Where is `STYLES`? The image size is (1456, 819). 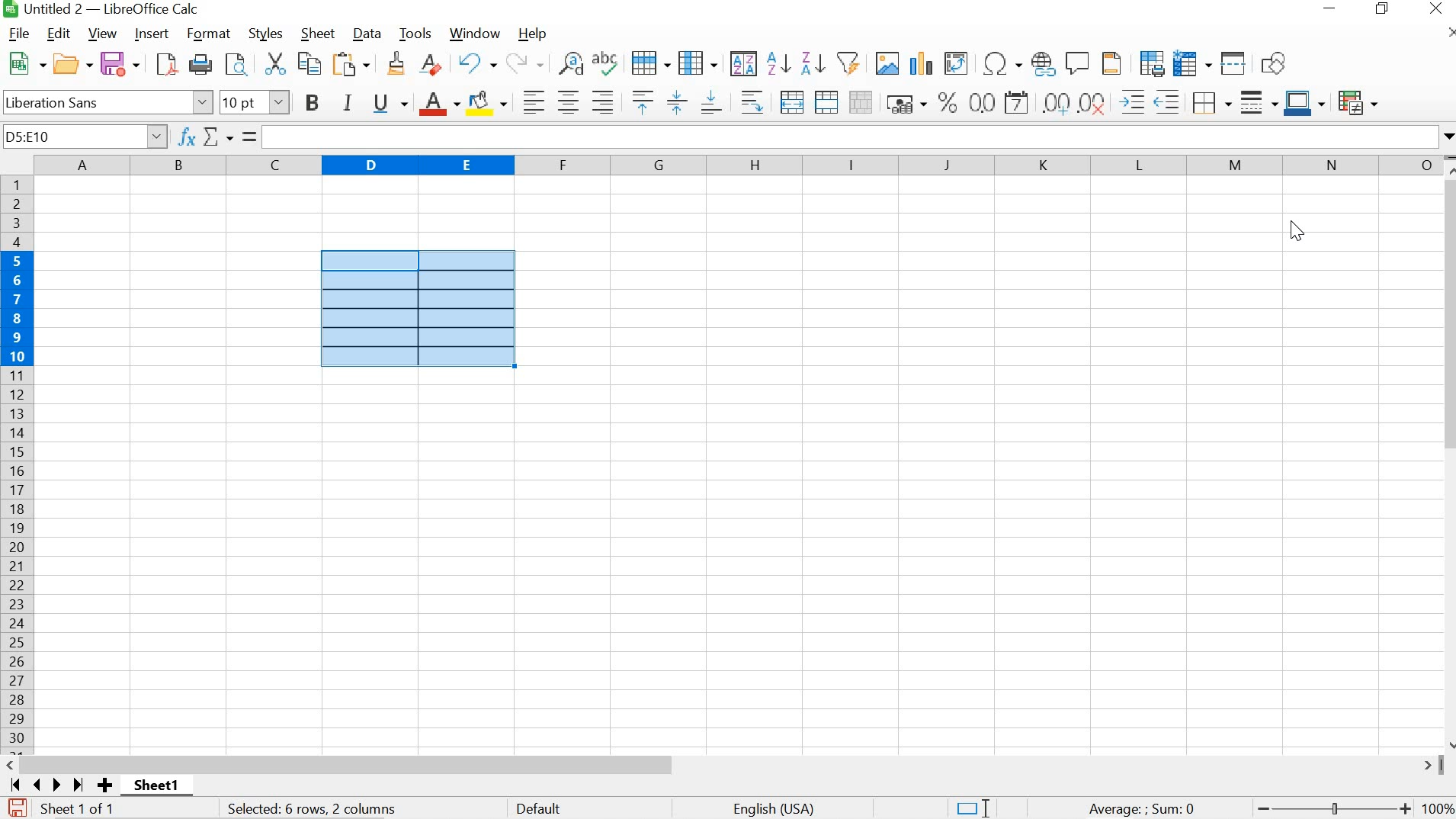
STYLES is located at coordinates (267, 34).